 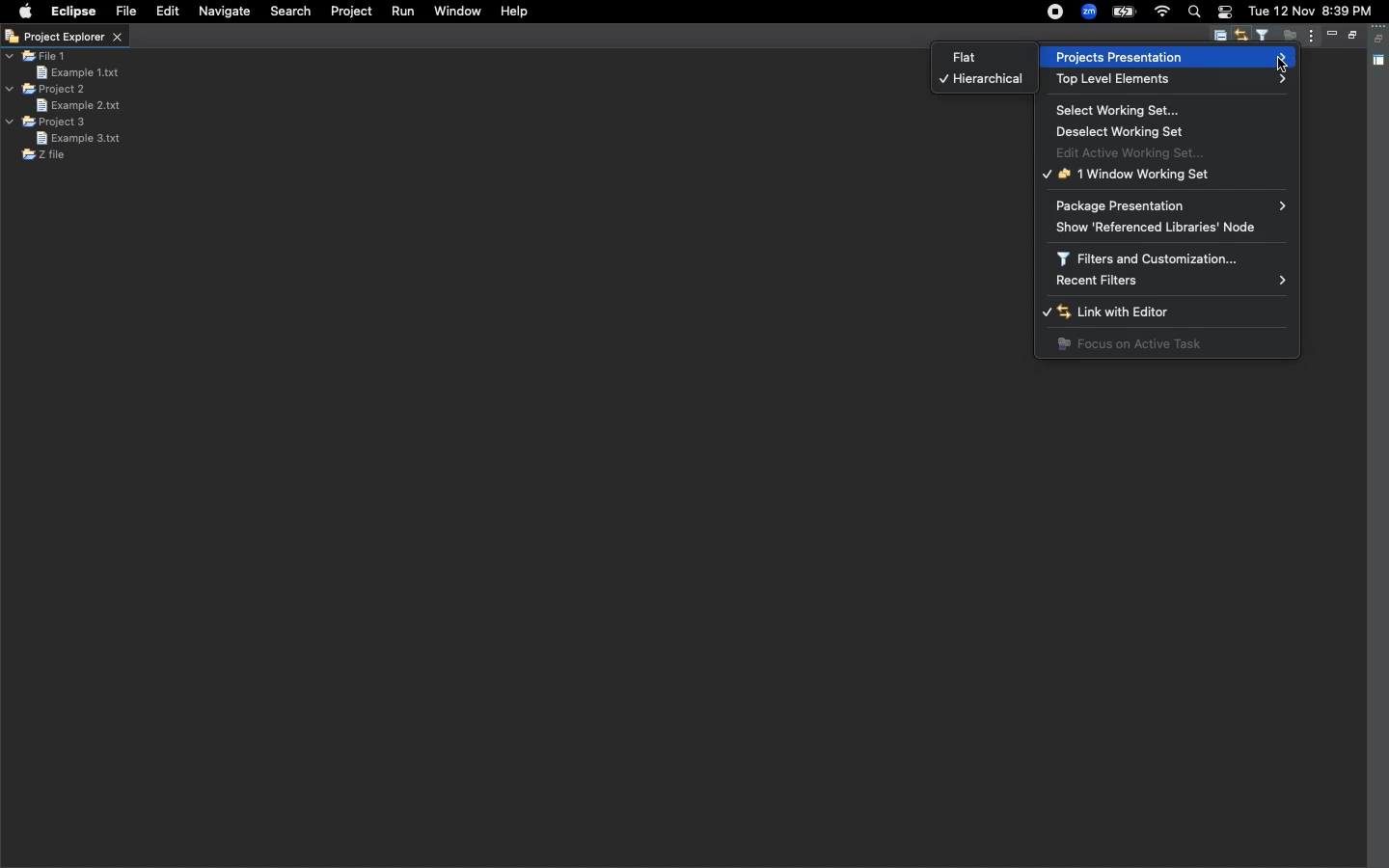 I want to click on Example 3.txt, so click(x=78, y=138).